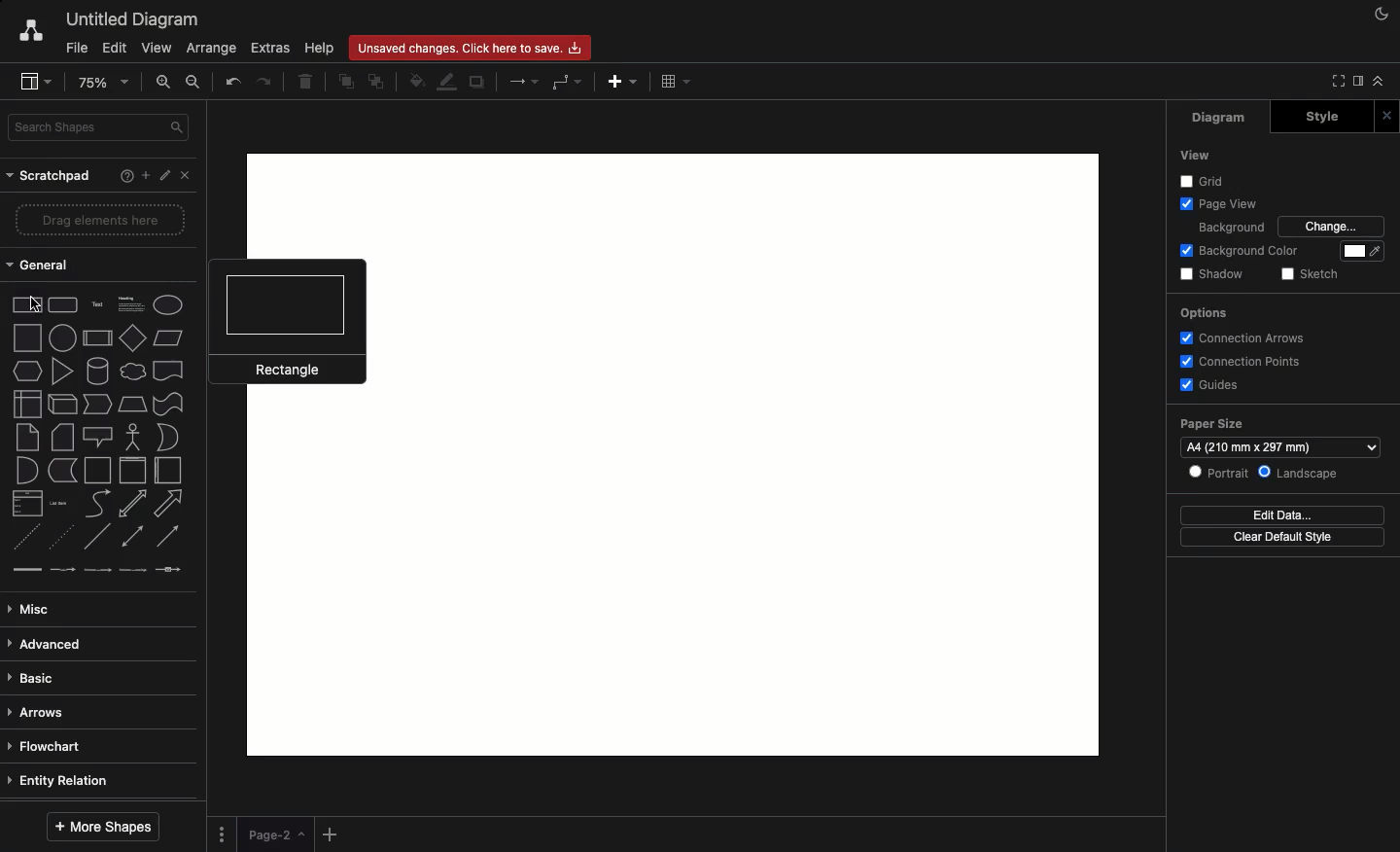  Describe the element at coordinates (131, 339) in the screenshot. I see `diamond` at that location.